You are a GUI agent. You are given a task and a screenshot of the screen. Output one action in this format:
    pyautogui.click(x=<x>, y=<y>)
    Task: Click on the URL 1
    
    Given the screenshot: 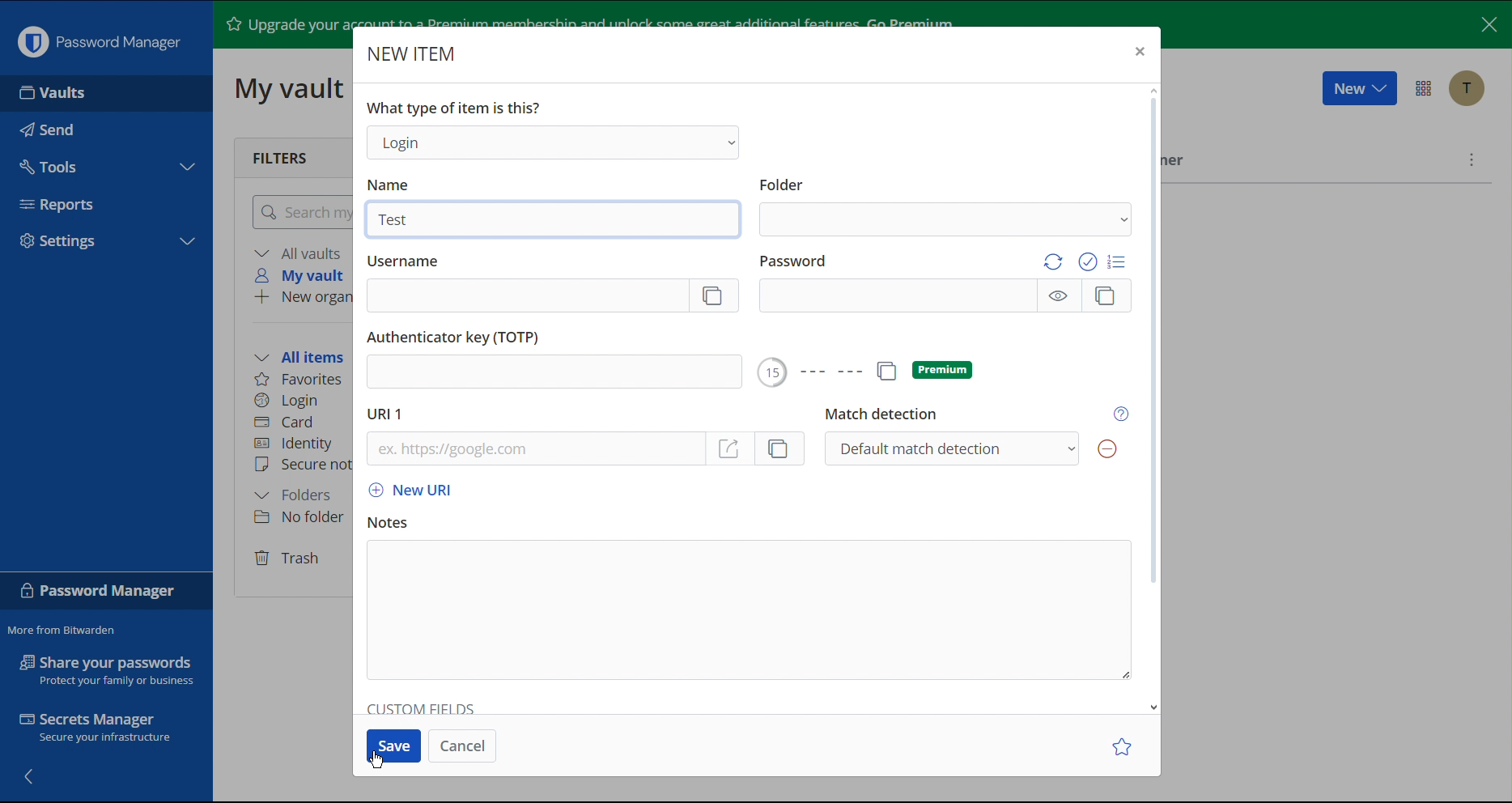 What is the action you would take?
    pyautogui.click(x=386, y=414)
    